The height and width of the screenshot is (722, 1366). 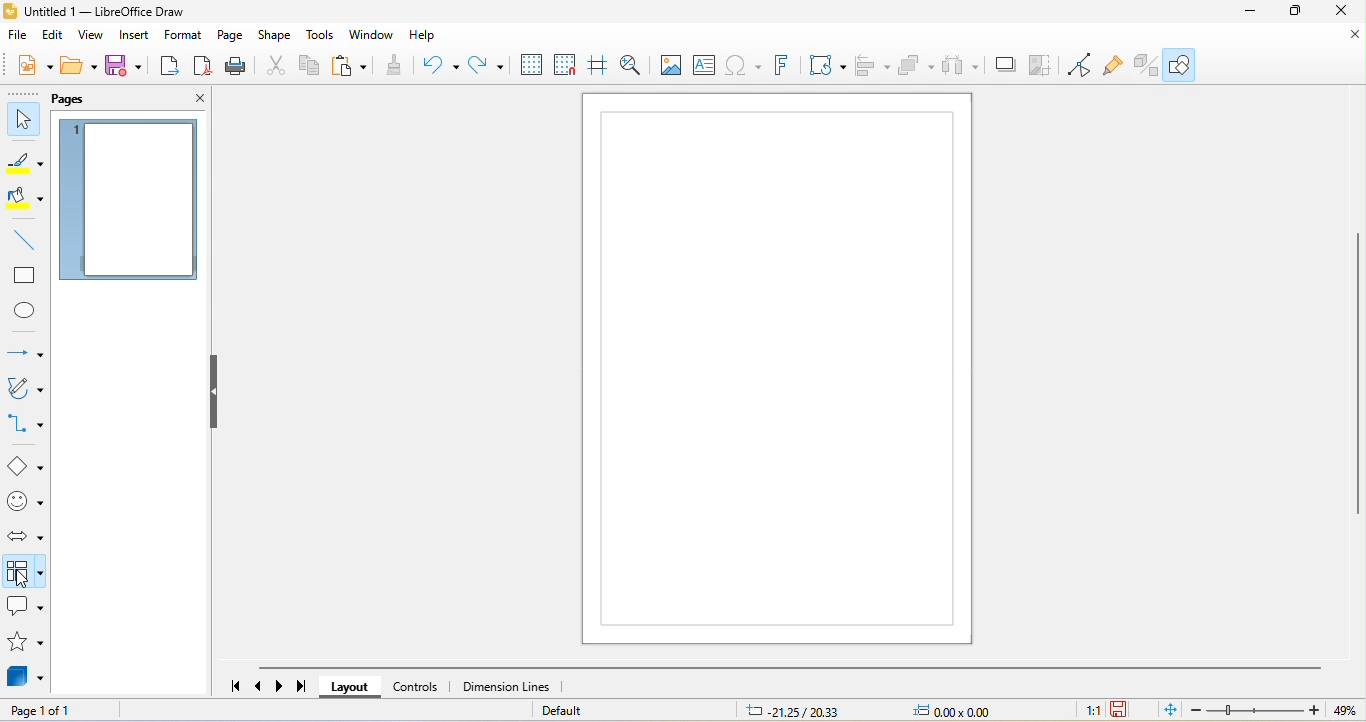 I want to click on symbol shape, so click(x=25, y=504).